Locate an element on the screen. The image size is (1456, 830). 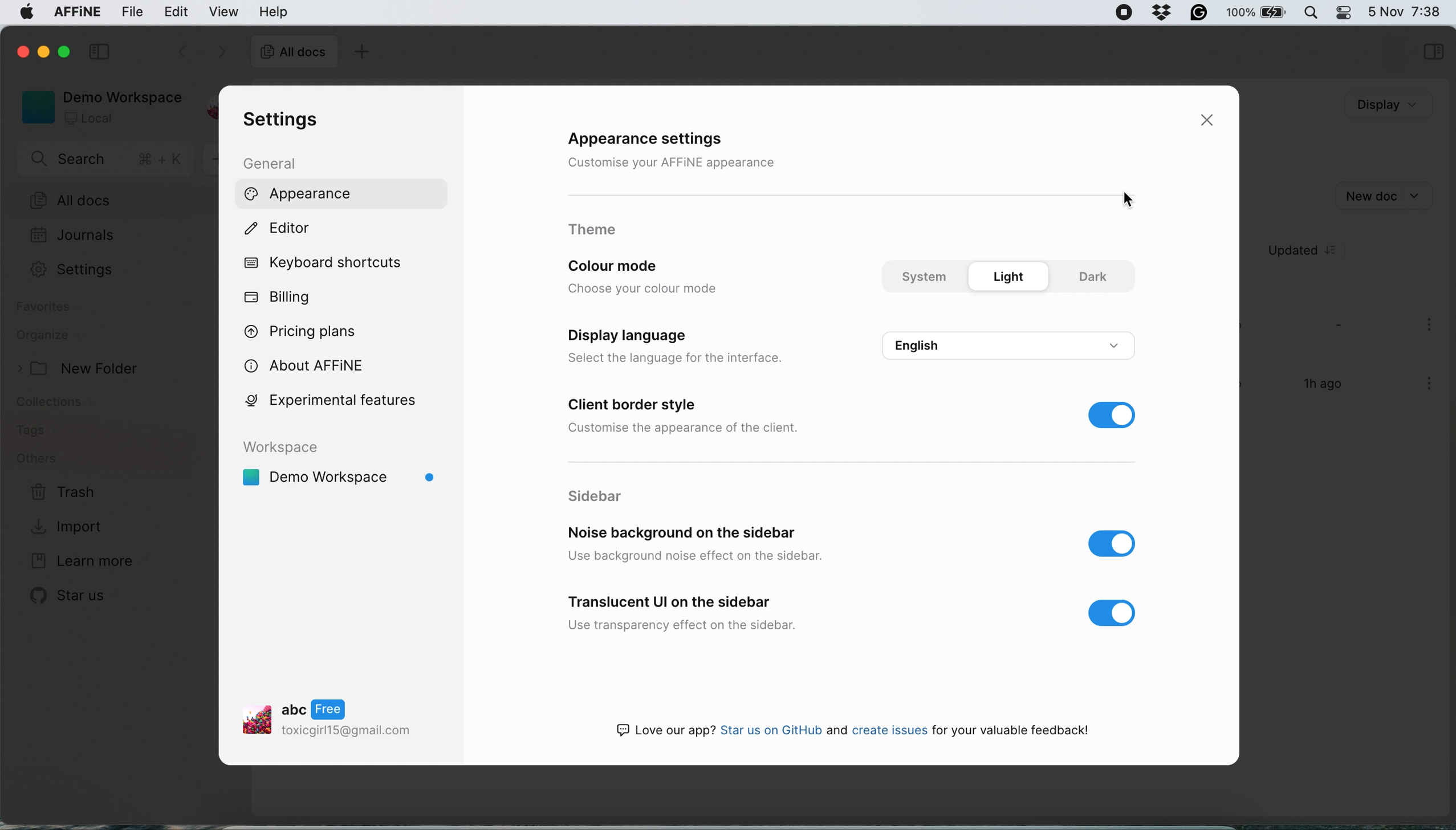
customise the appearance of the client is located at coordinates (688, 429).